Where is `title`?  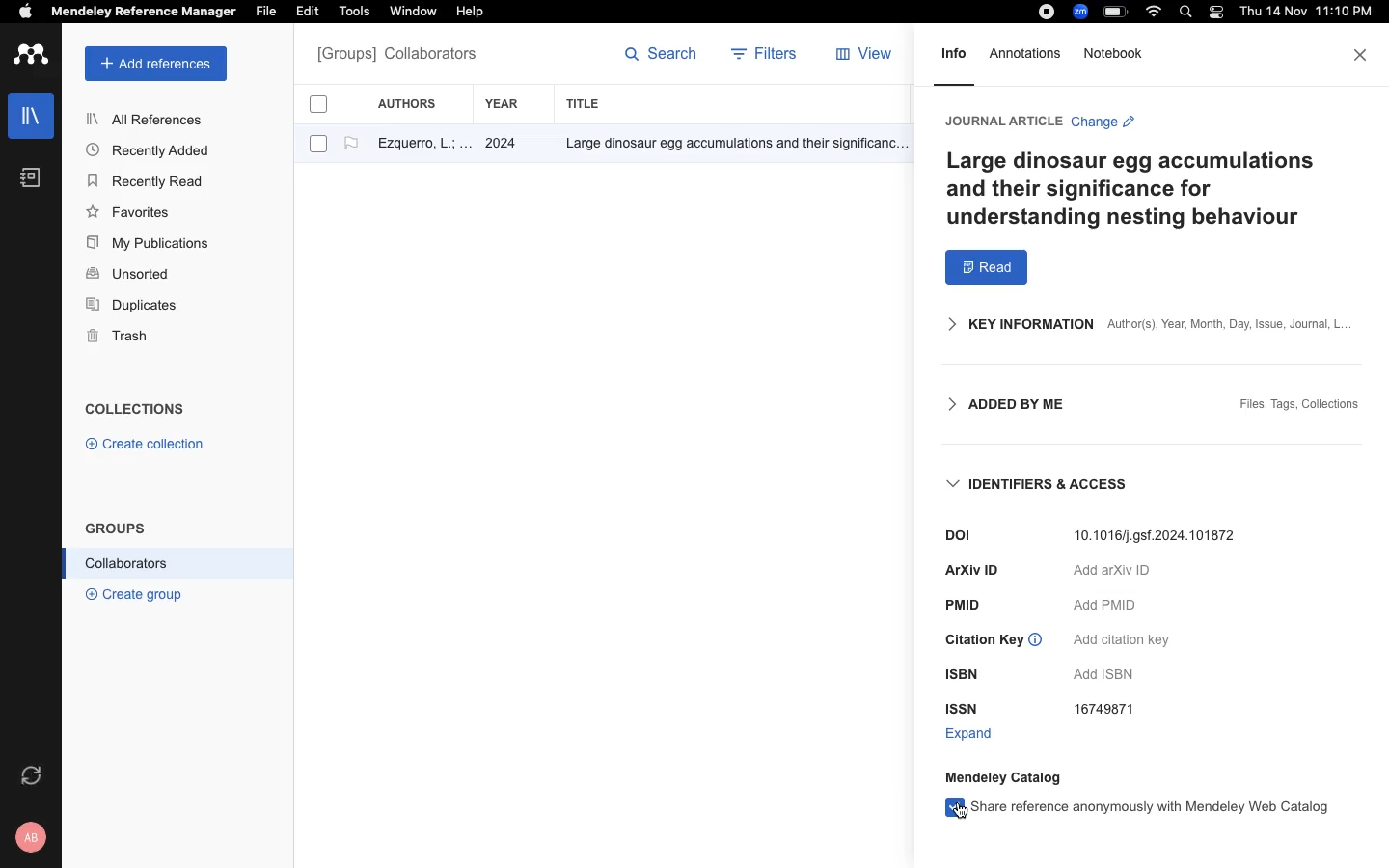
title is located at coordinates (586, 103).